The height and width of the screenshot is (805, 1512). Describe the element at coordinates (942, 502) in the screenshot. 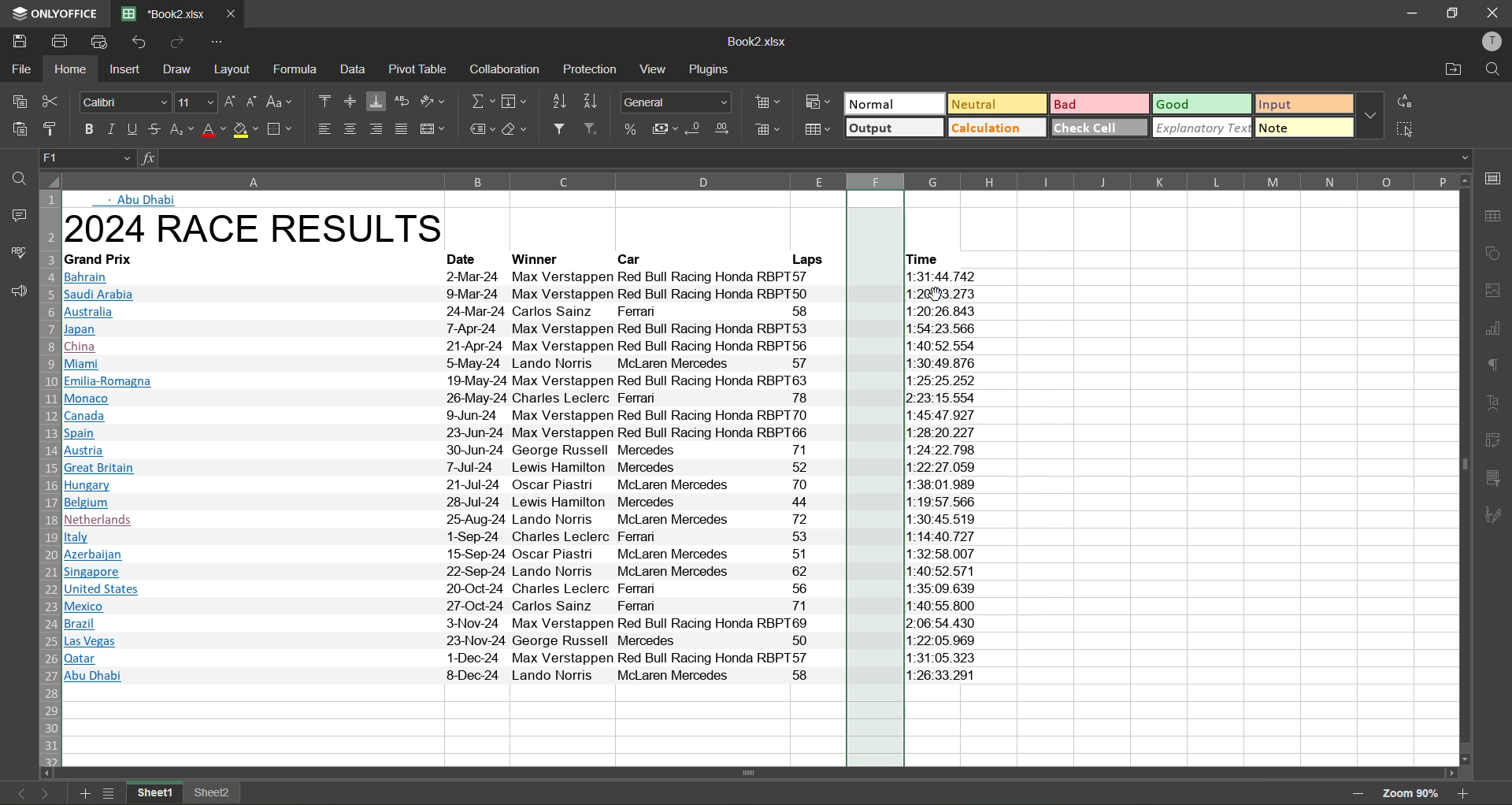

I see `11:19:57 566` at that location.